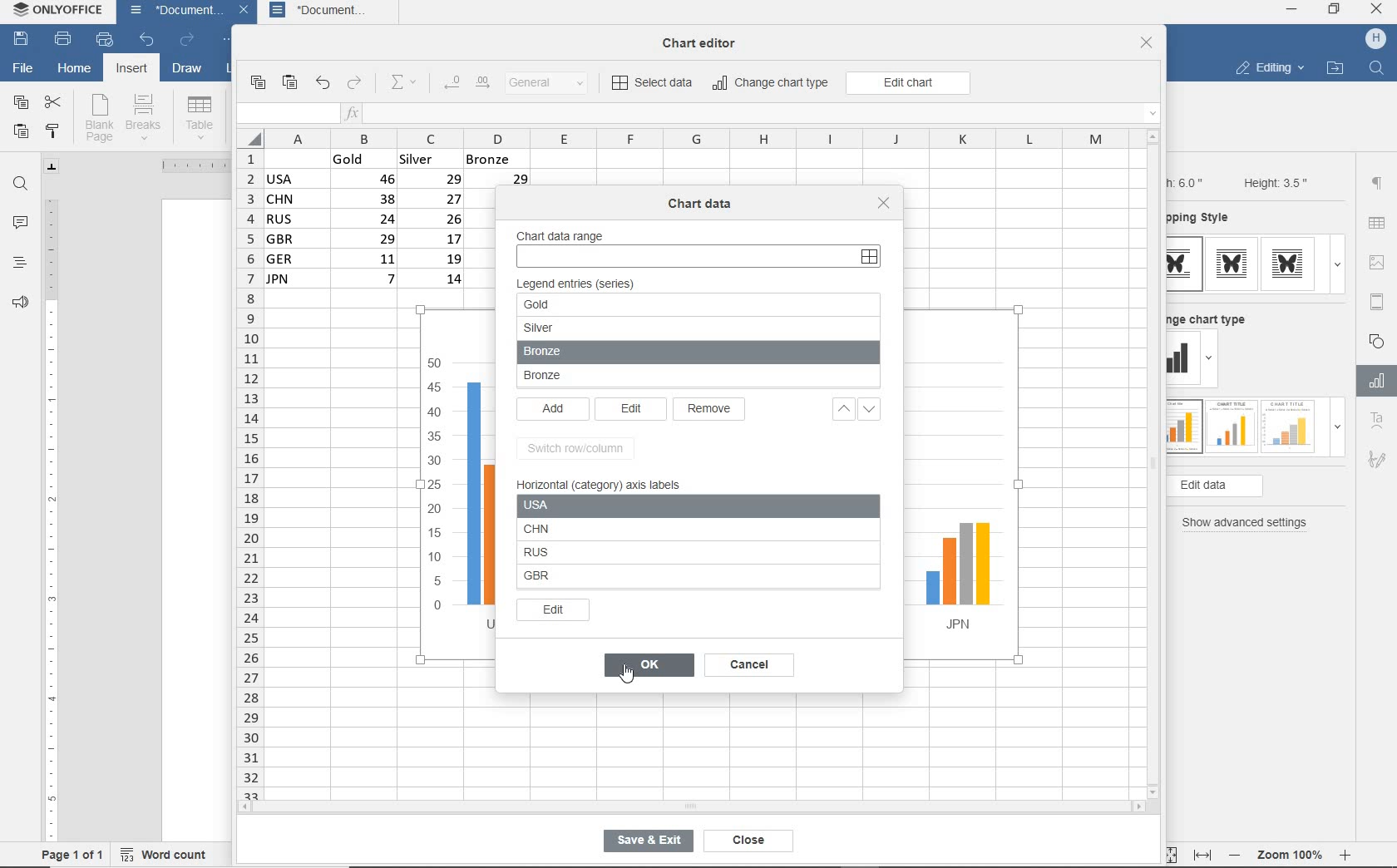 The image size is (1397, 868). I want to click on redo, so click(186, 41).